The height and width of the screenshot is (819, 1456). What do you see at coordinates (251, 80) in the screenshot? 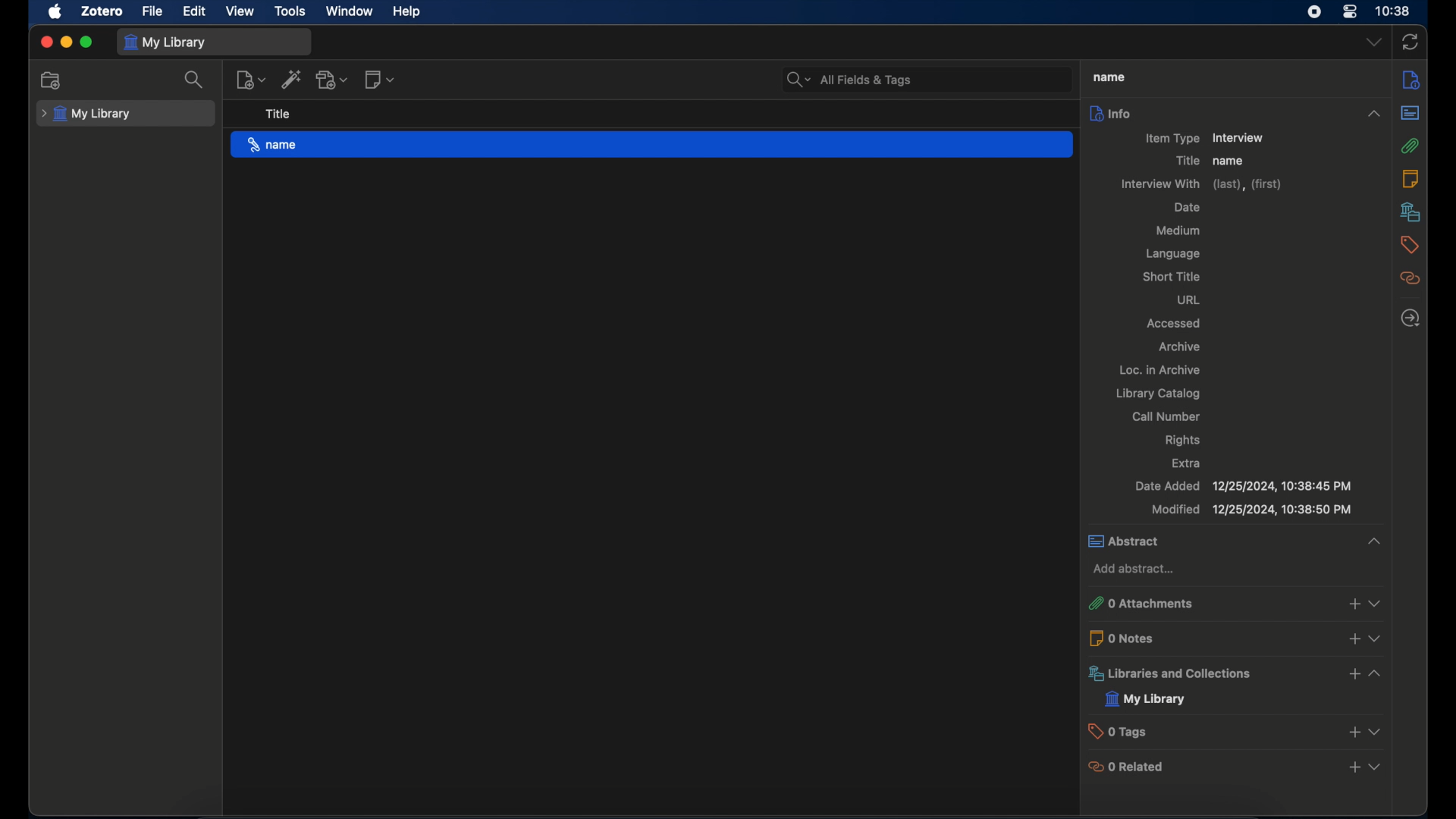
I see `new item` at bounding box center [251, 80].